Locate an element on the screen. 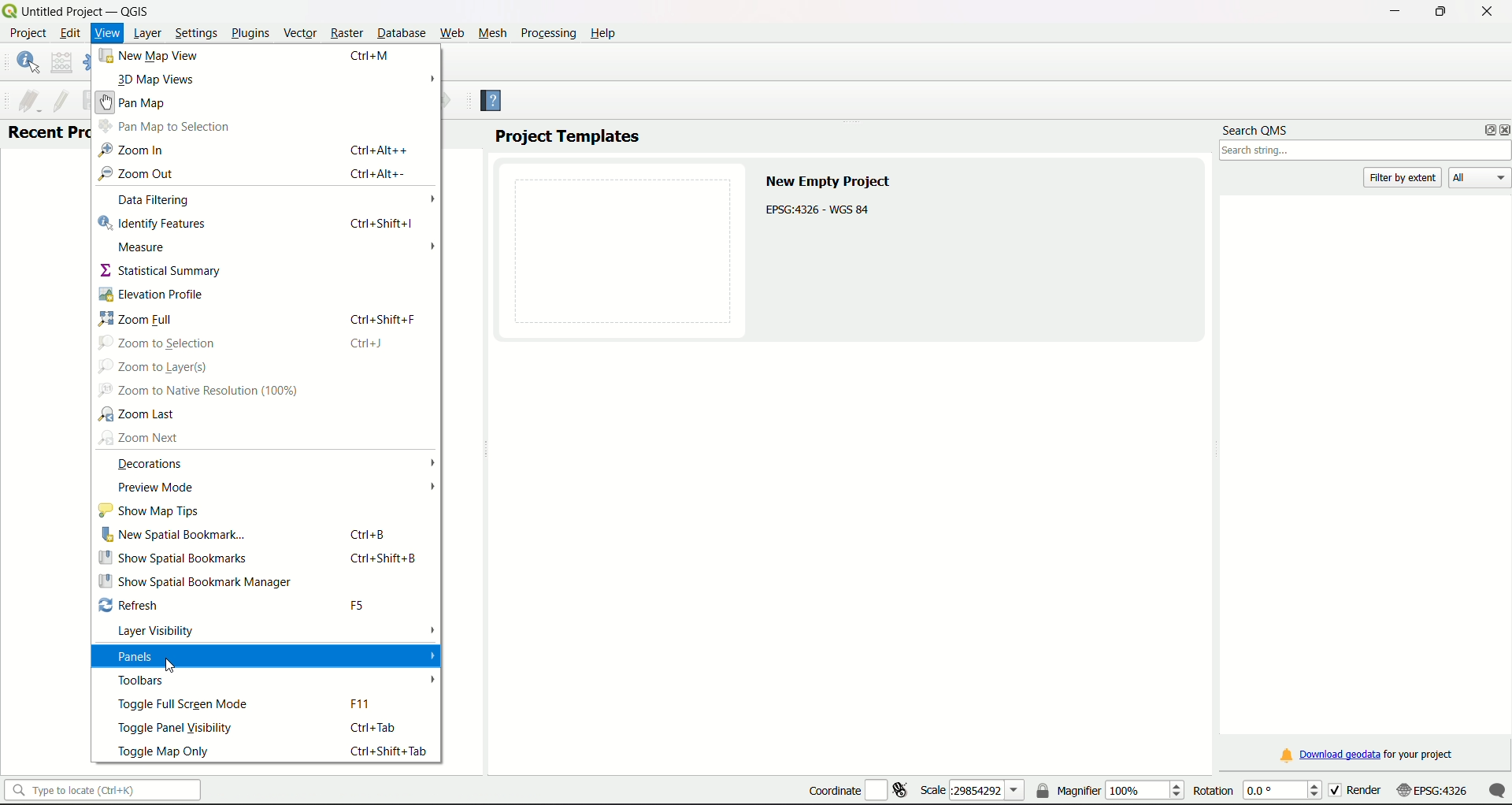  Ctrl+J is located at coordinates (366, 344).